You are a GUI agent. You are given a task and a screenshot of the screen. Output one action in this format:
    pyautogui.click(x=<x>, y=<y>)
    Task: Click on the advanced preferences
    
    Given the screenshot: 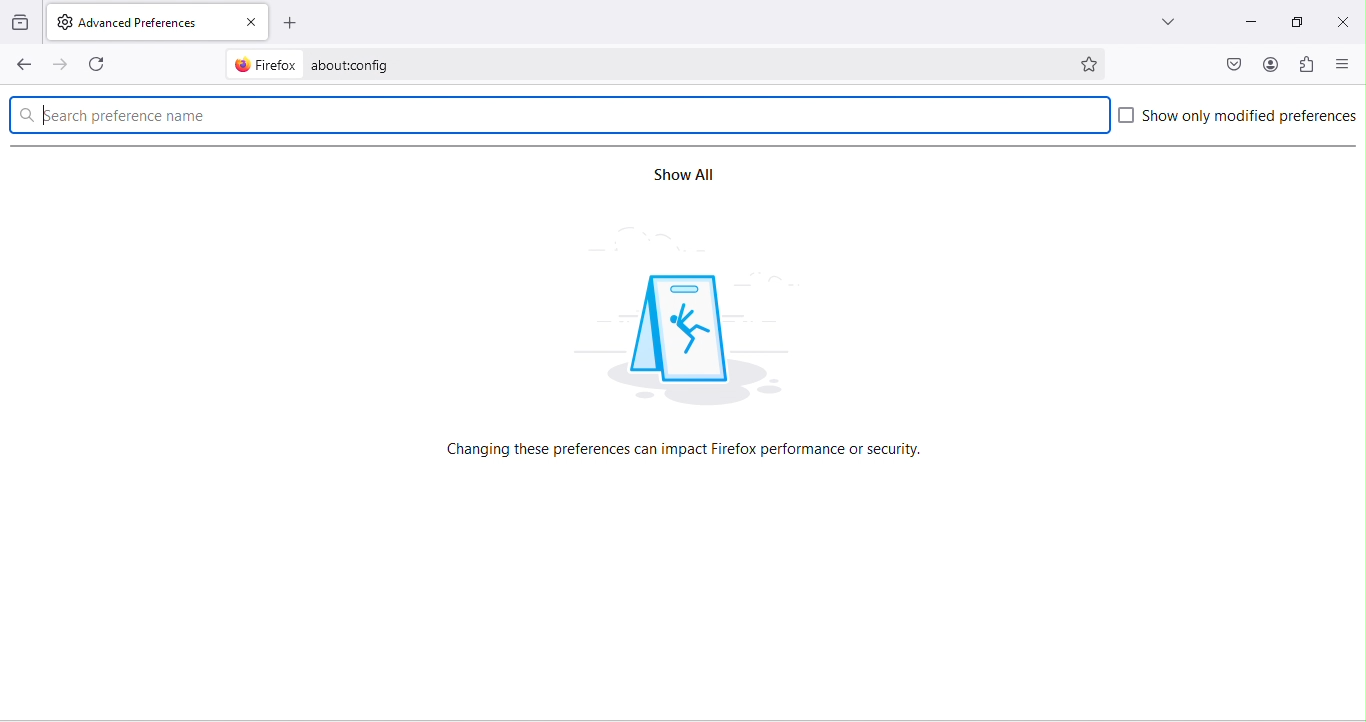 What is the action you would take?
    pyautogui.click(x=141, y=23)
    